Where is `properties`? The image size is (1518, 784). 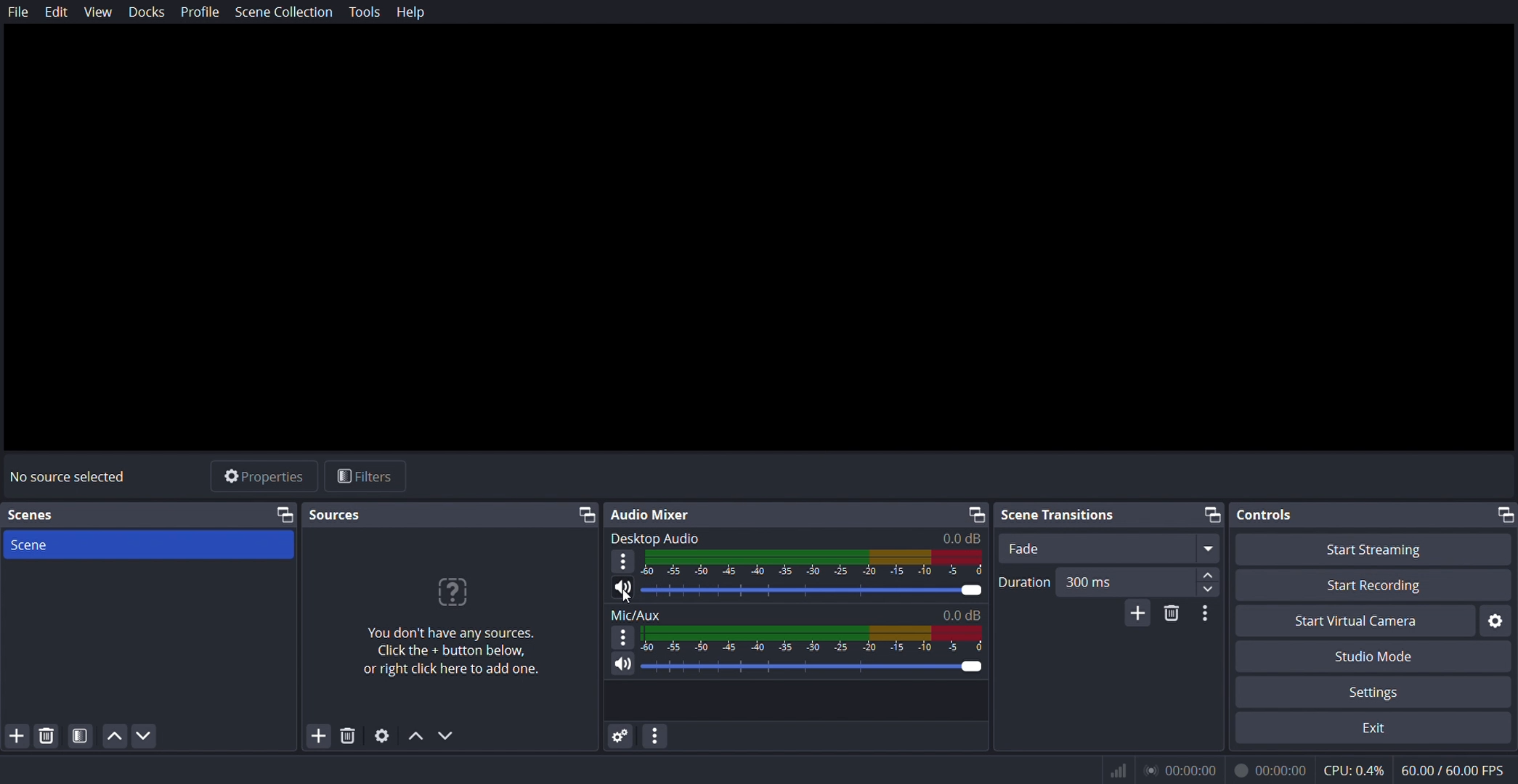
properties is located at coordinates (264, 479).